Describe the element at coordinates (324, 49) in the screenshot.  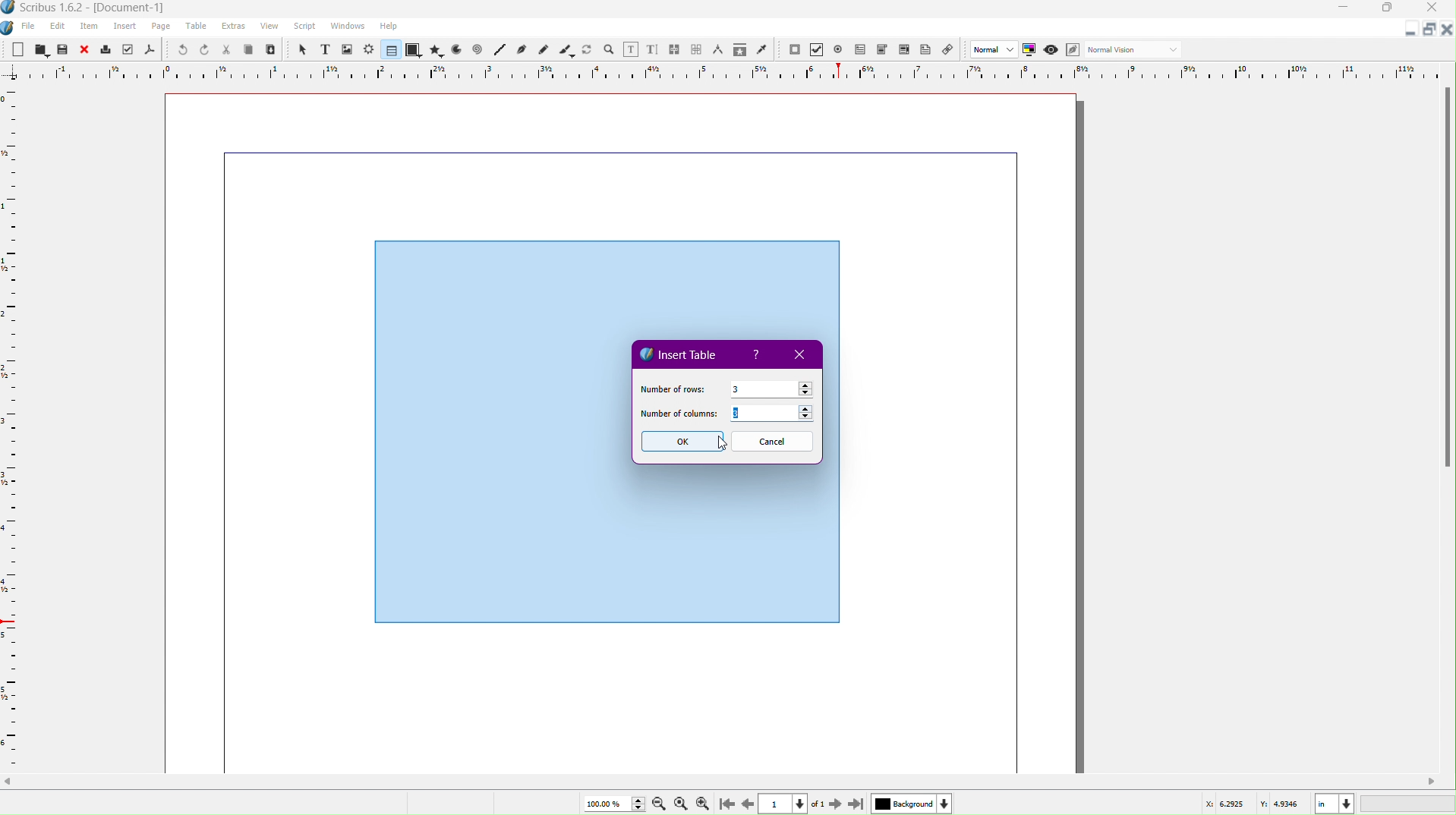
I see `Text Frame` at that location.